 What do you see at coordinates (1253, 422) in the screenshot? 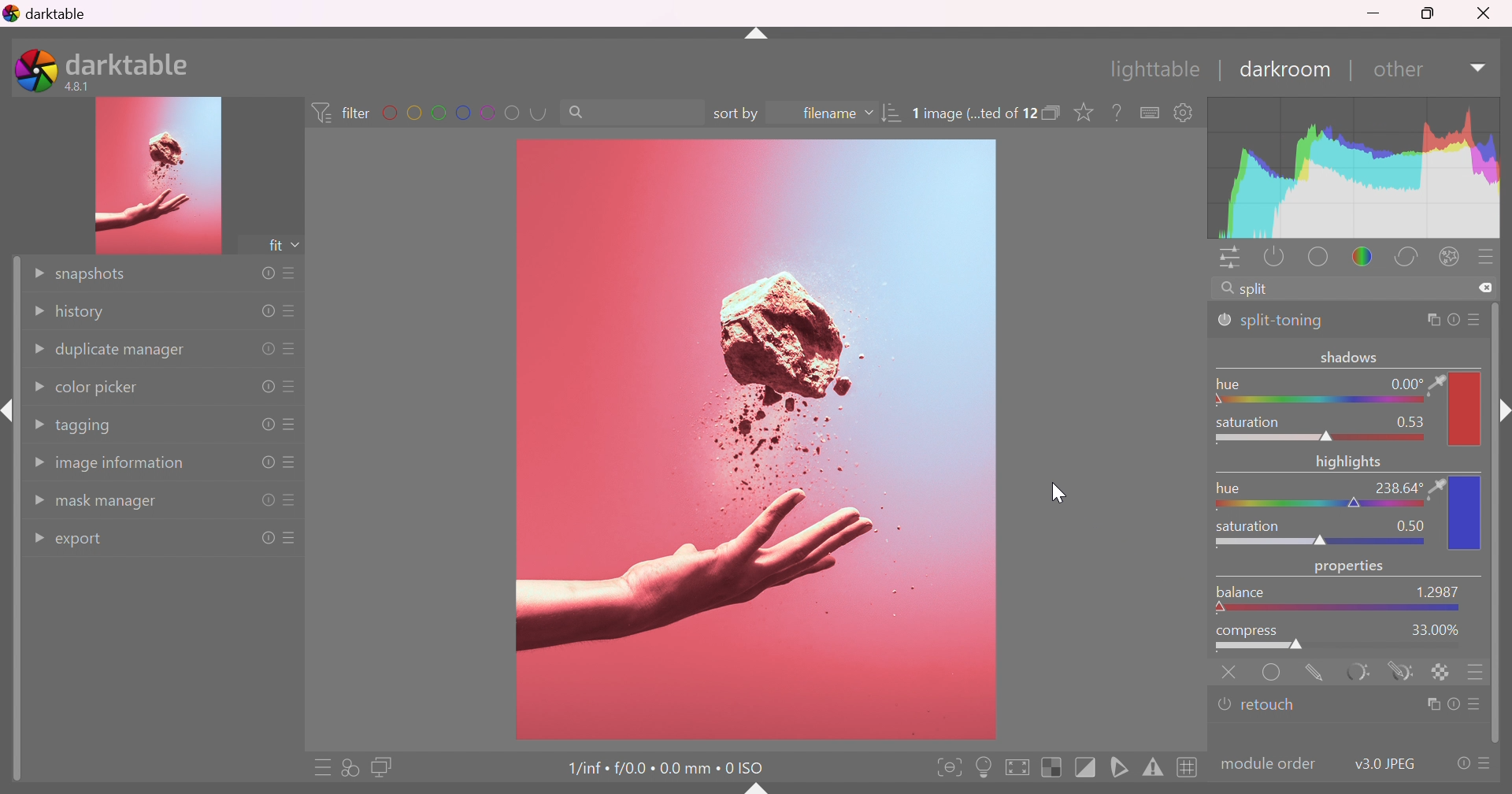
I see `saturation` at bounding box center [1253, 422].